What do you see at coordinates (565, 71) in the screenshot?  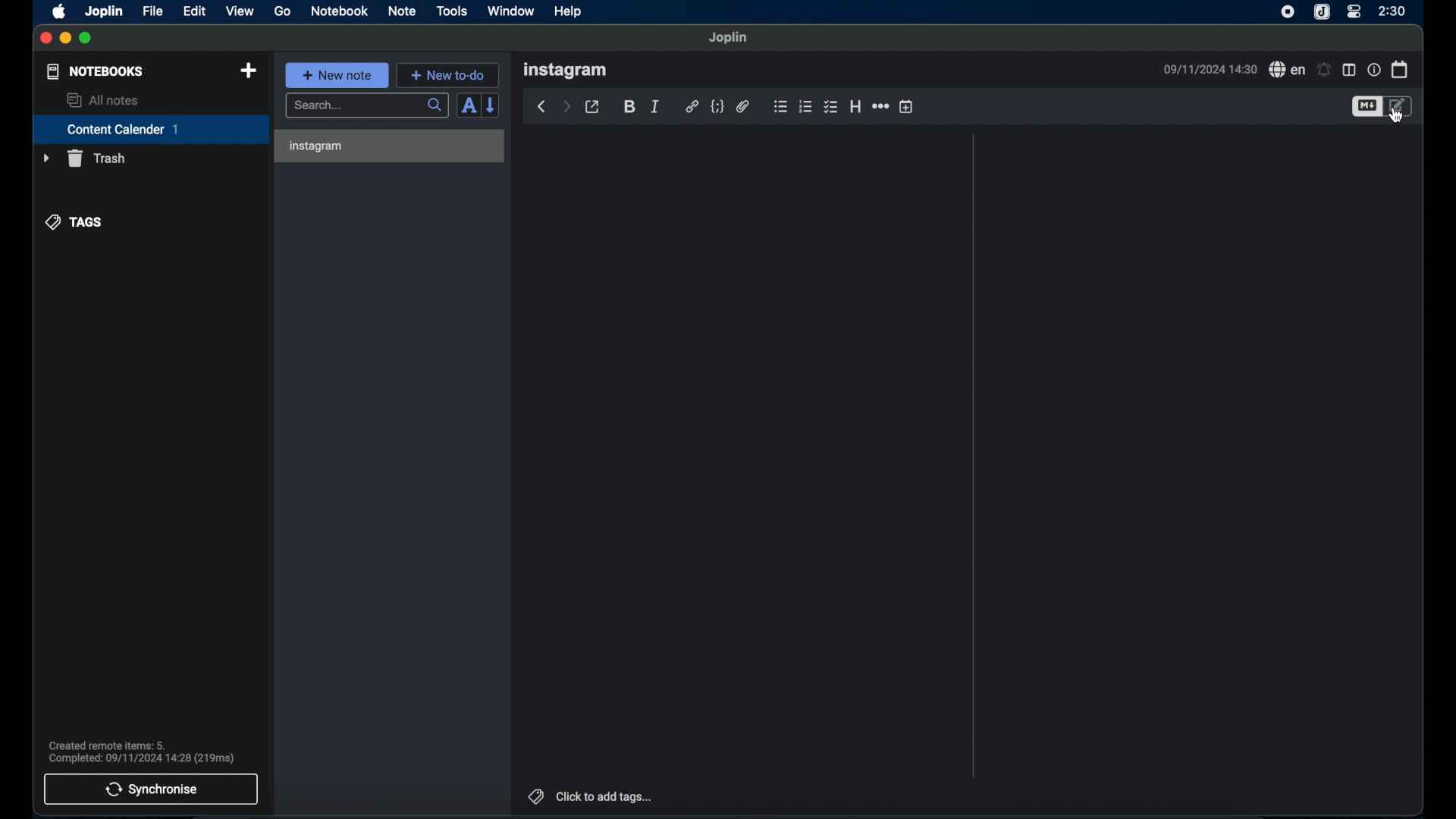 I see `instagram` at bounding box center [565, 71].